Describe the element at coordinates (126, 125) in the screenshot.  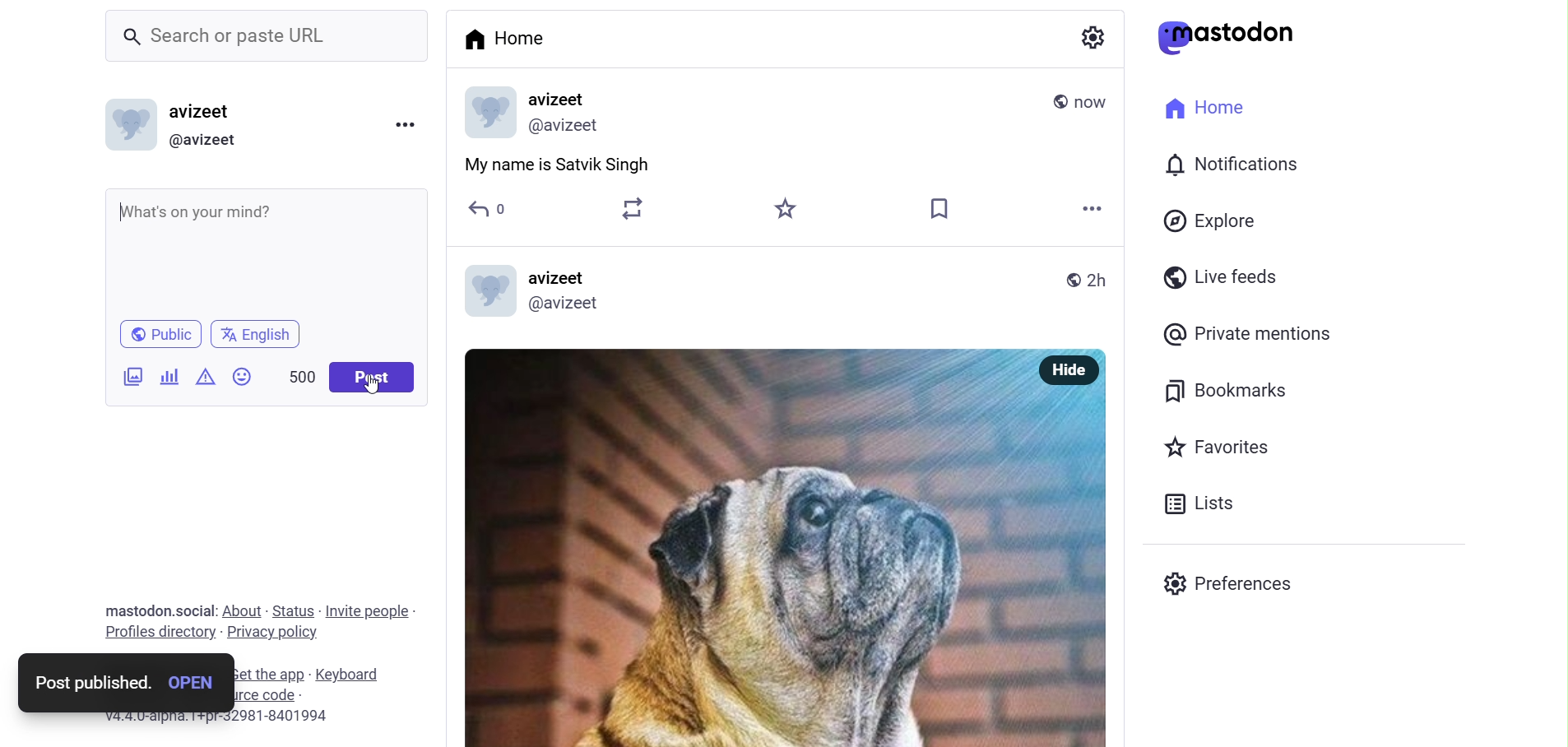
I see `logo` at that location.